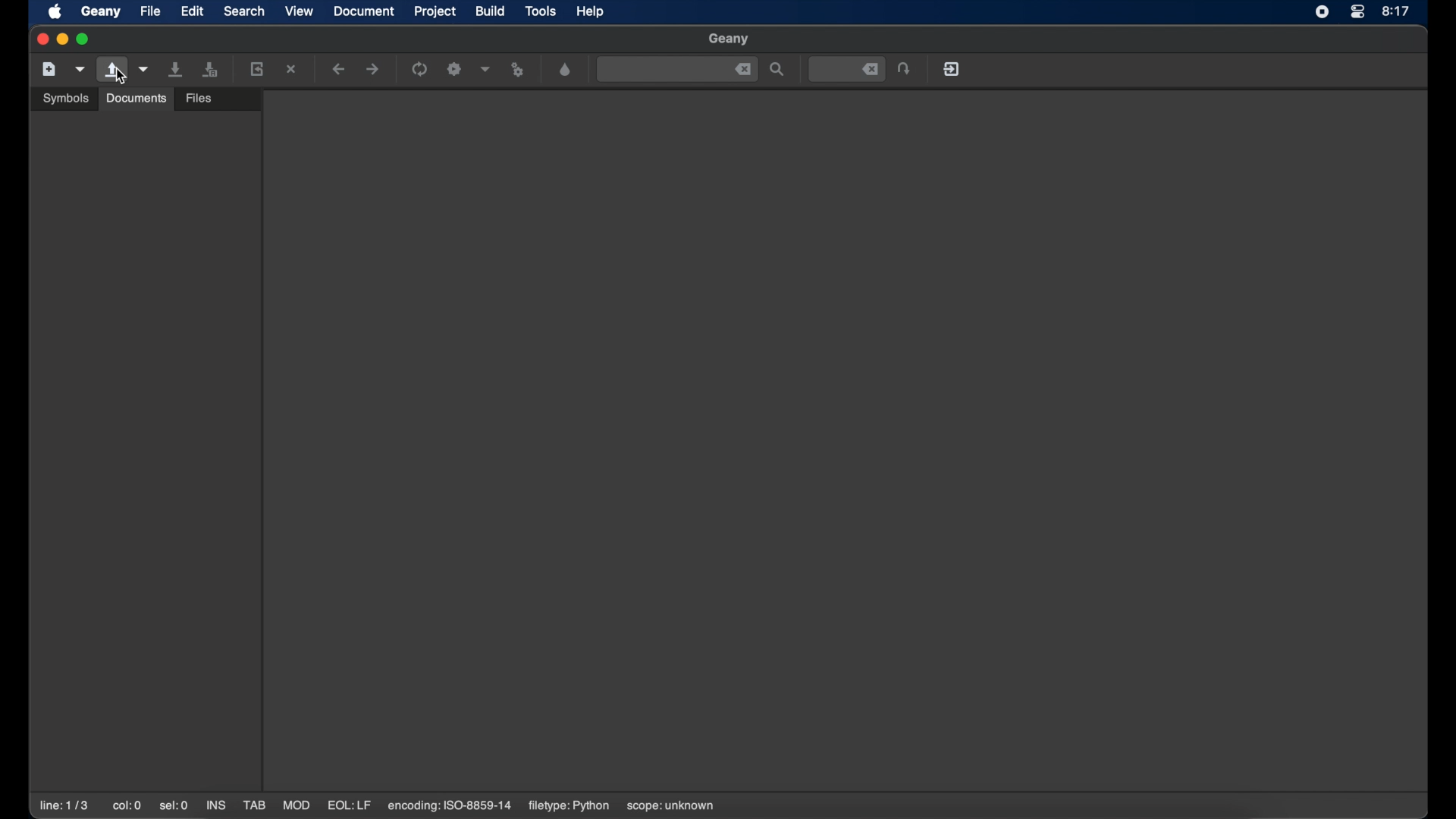 This screenshot has width=1456, height=819. What do you see at coordinates (256, 68) in the screenshot?
I see `reload the current file from disk` at bounding box center [256, 68].